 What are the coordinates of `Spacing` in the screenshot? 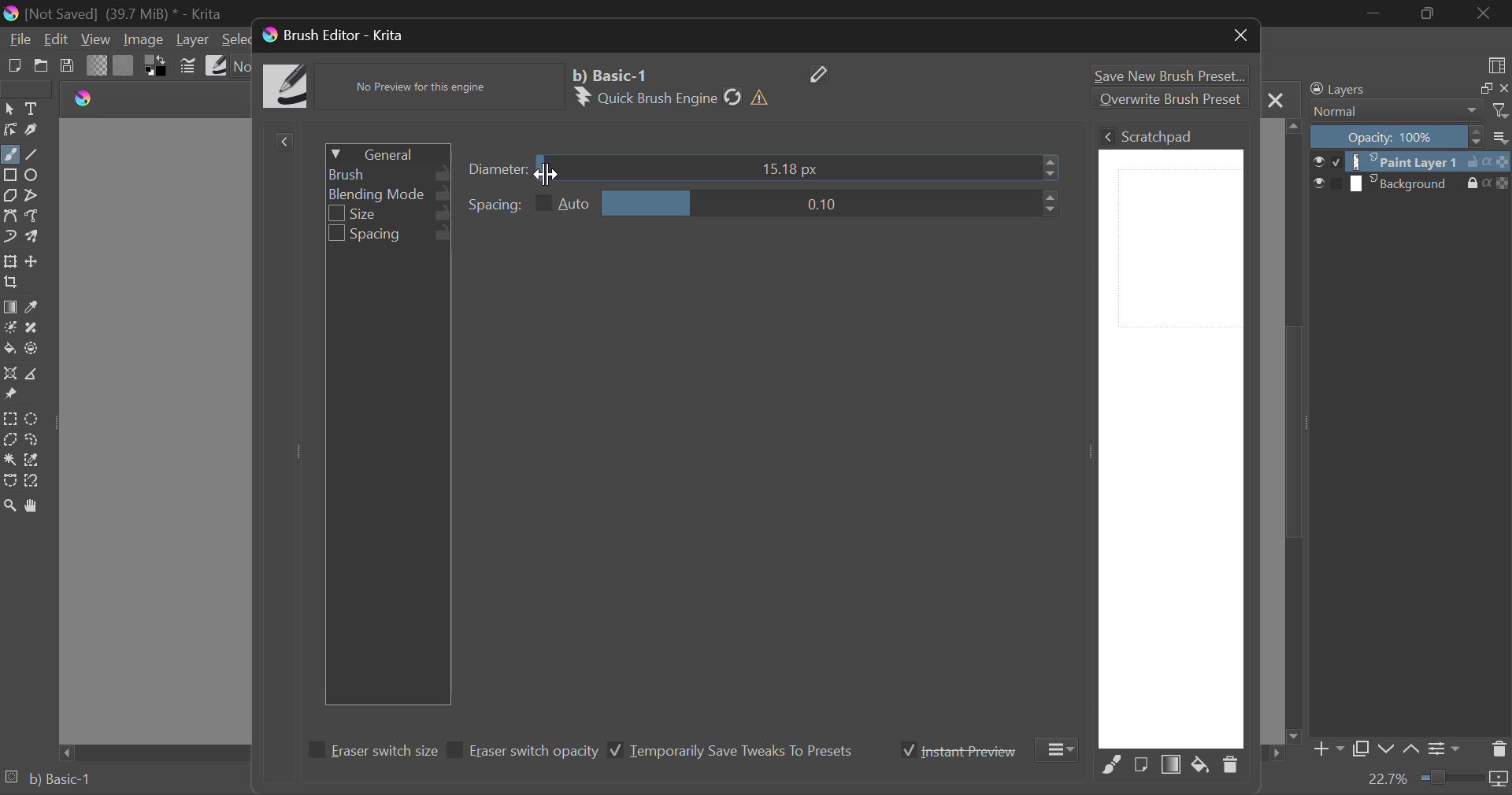 It's located at (389, 235).